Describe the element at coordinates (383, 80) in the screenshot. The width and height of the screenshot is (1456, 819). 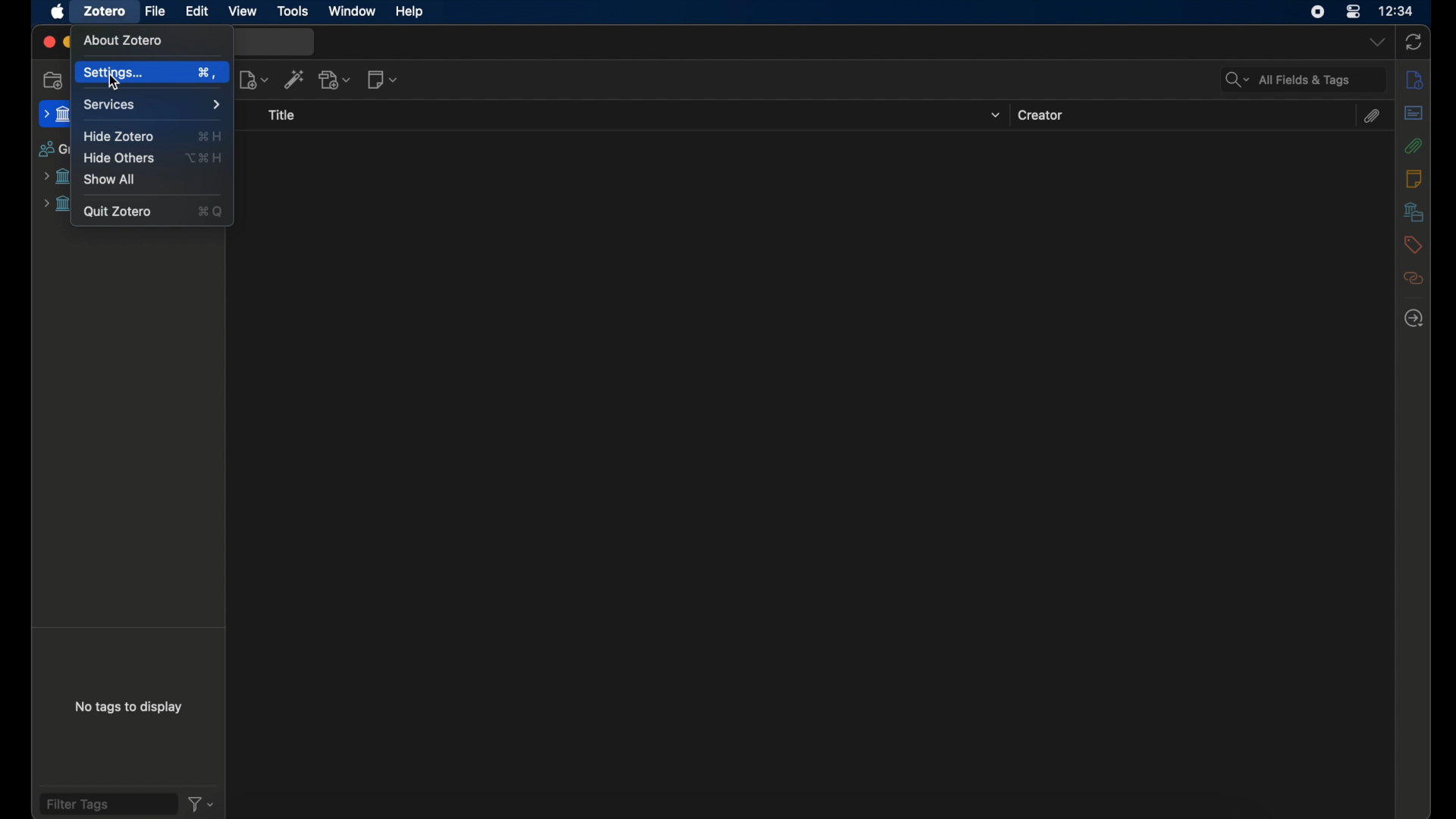
I see `new note` at that location.